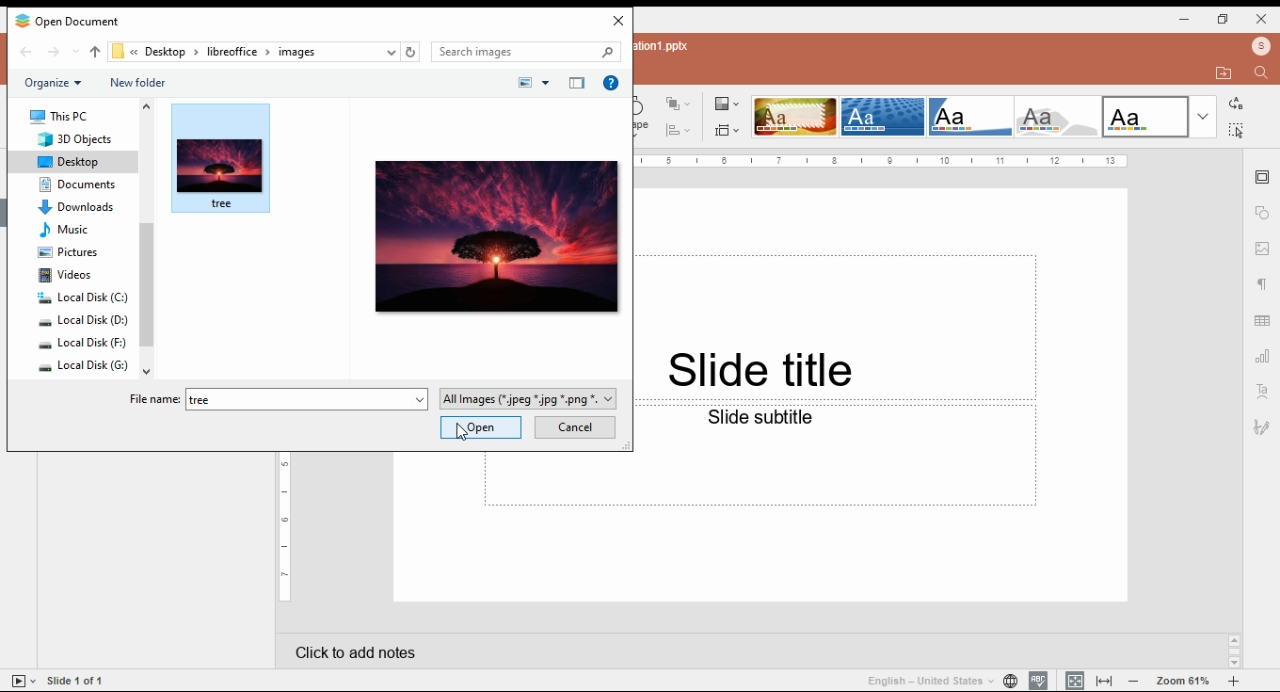 This screenshot has width=1280, height=692. What do you see at coordinates (462, 434) in the screenshot?
I see `cursor` at bounding box center [462, 434].